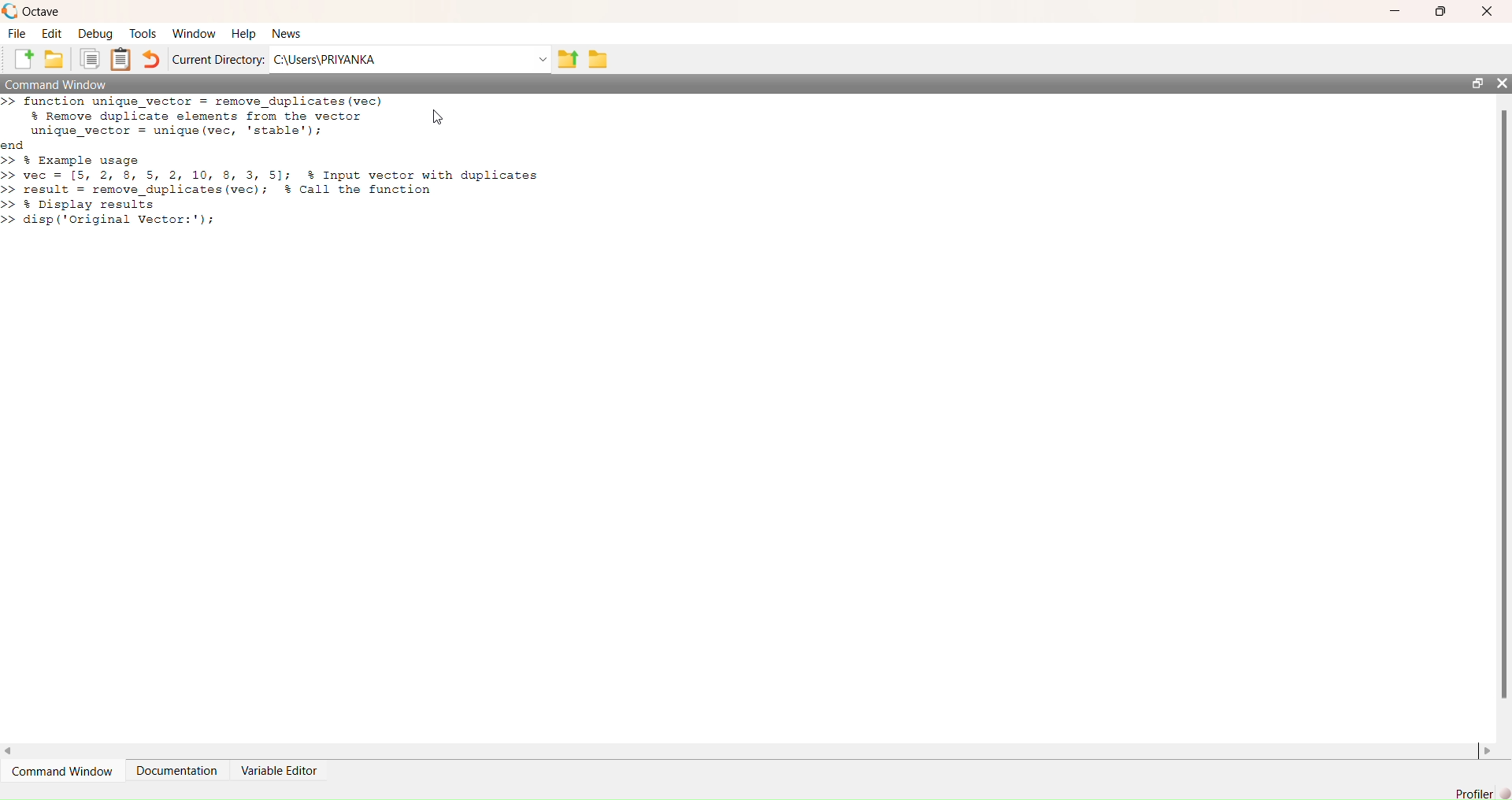  Describe the element at coordinates (43, 13) in the screenshot. I see `octave` at that location.